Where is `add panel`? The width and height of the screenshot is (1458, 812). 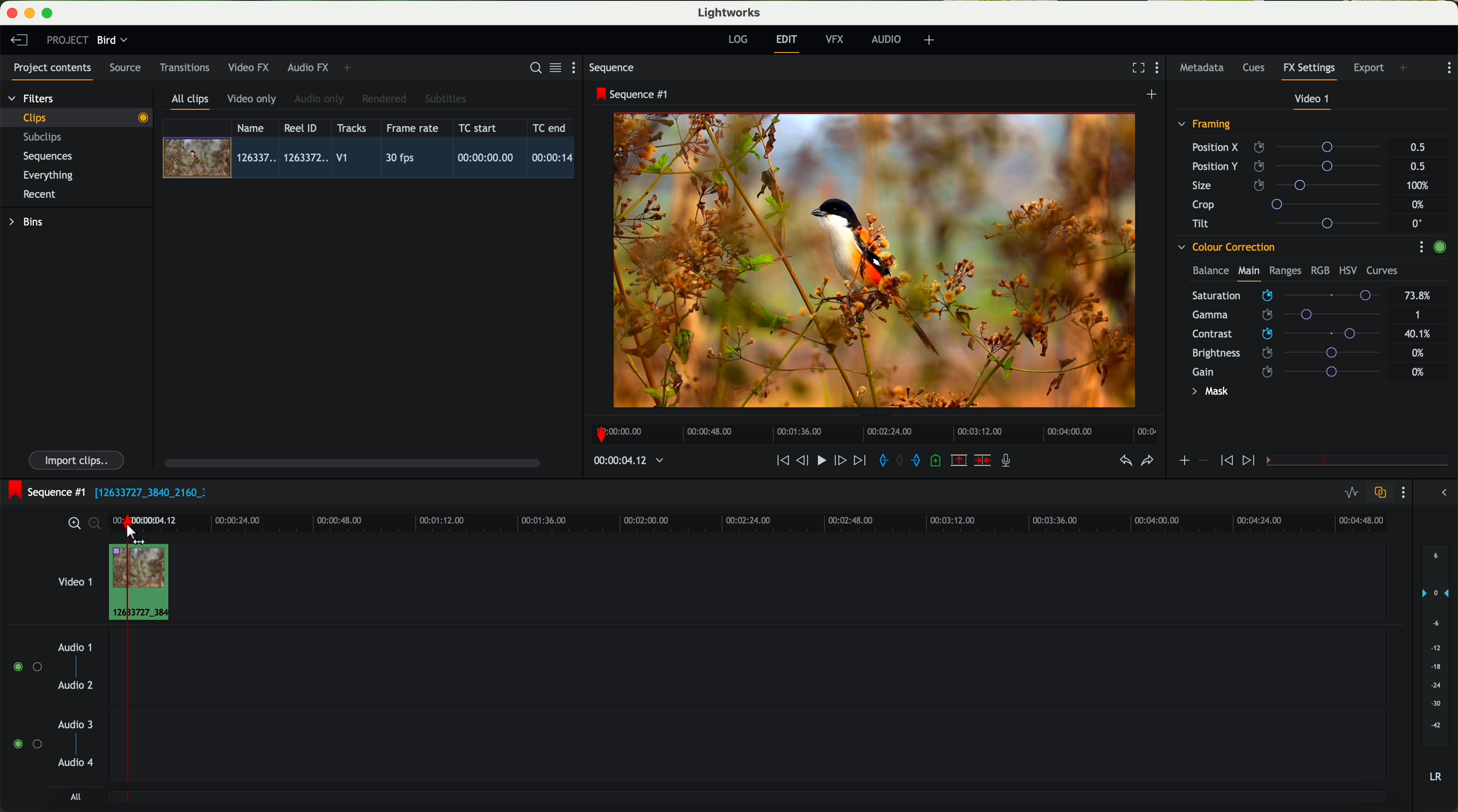
add panel is located at coordinates (1406, 69).